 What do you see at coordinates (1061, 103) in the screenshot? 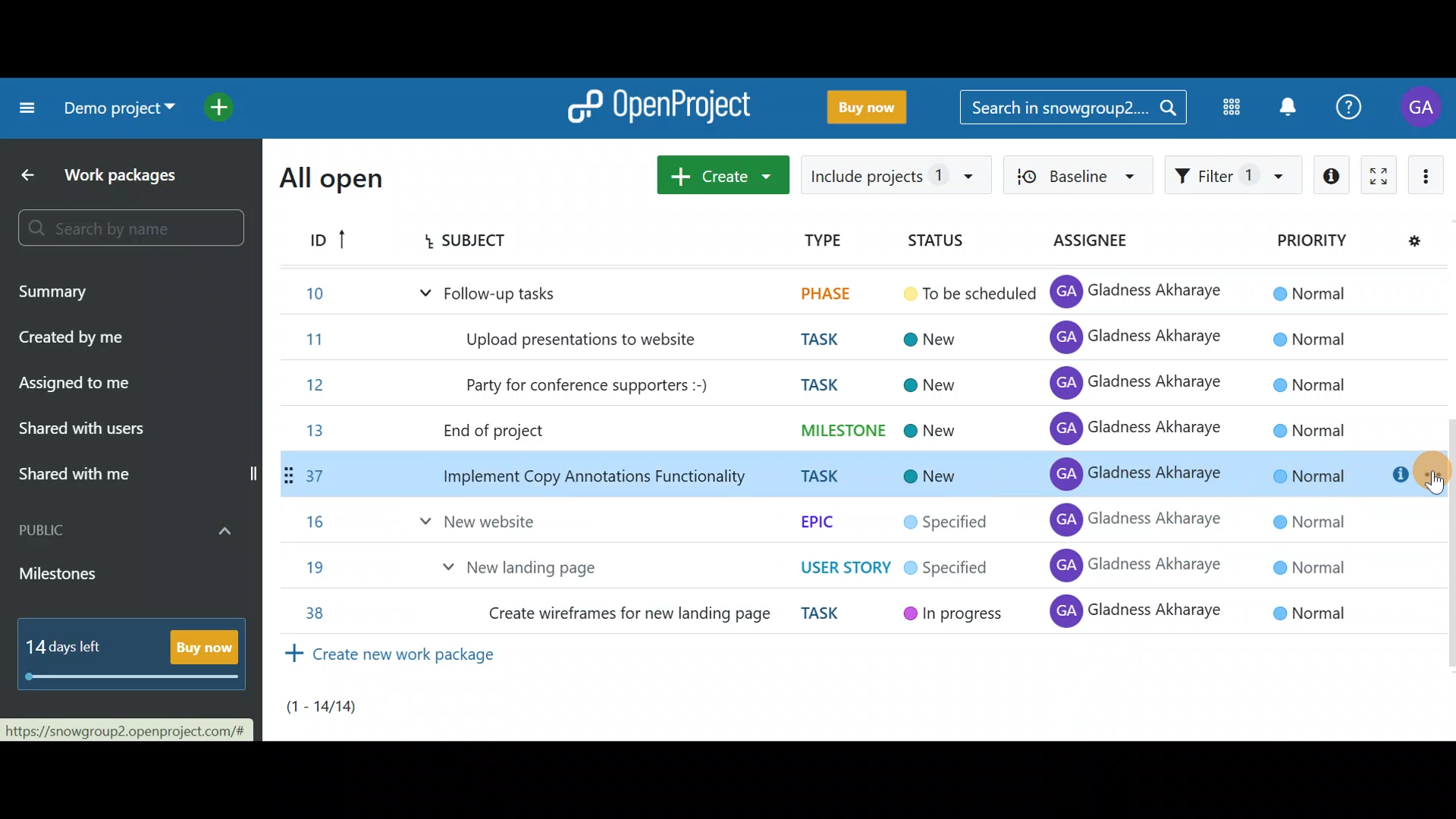
I see `Search in snowgroup2...` at bounding box center [1061, 103].